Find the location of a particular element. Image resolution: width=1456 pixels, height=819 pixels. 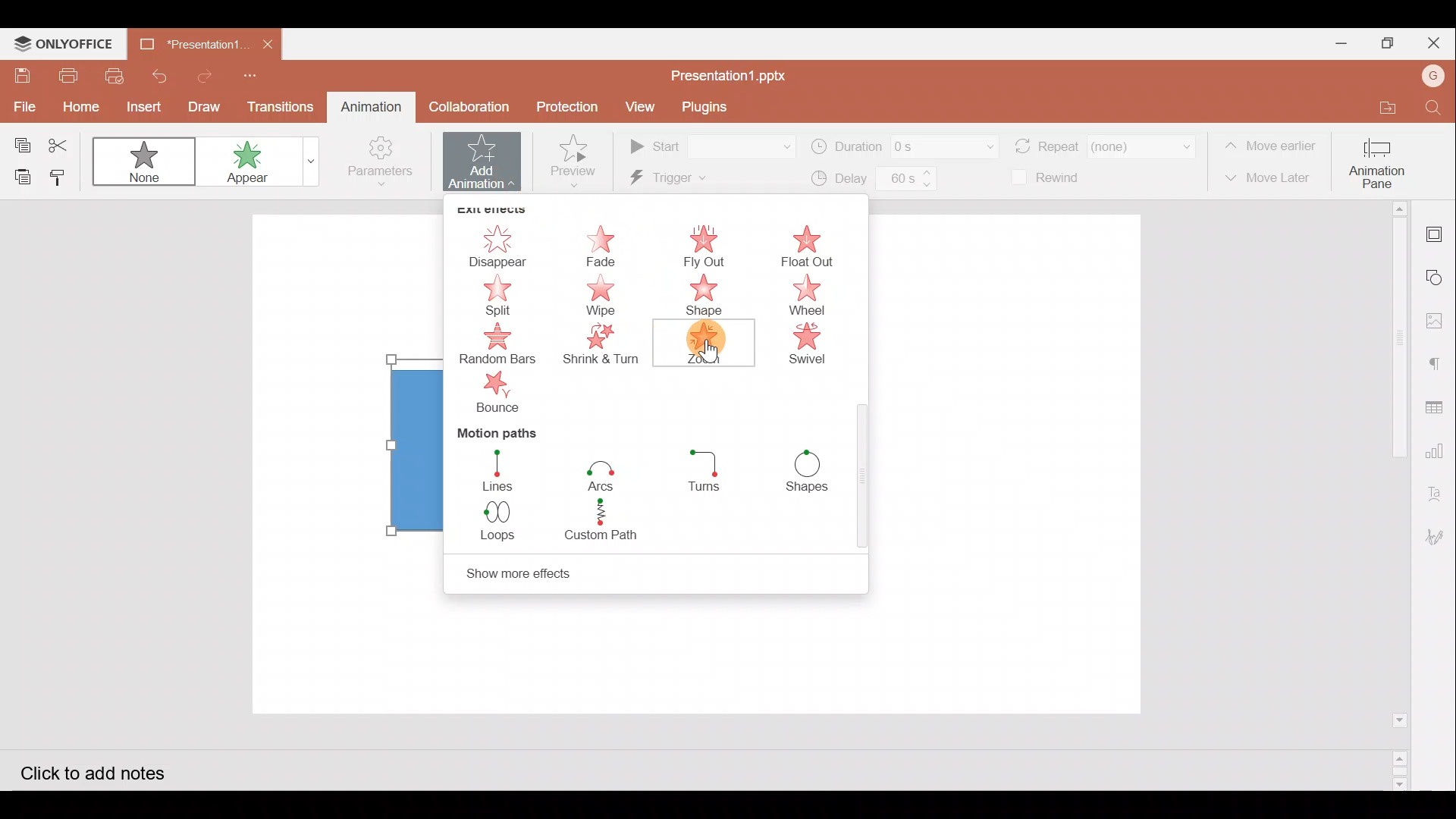

Rewind is located at coordinates (1054, 179).